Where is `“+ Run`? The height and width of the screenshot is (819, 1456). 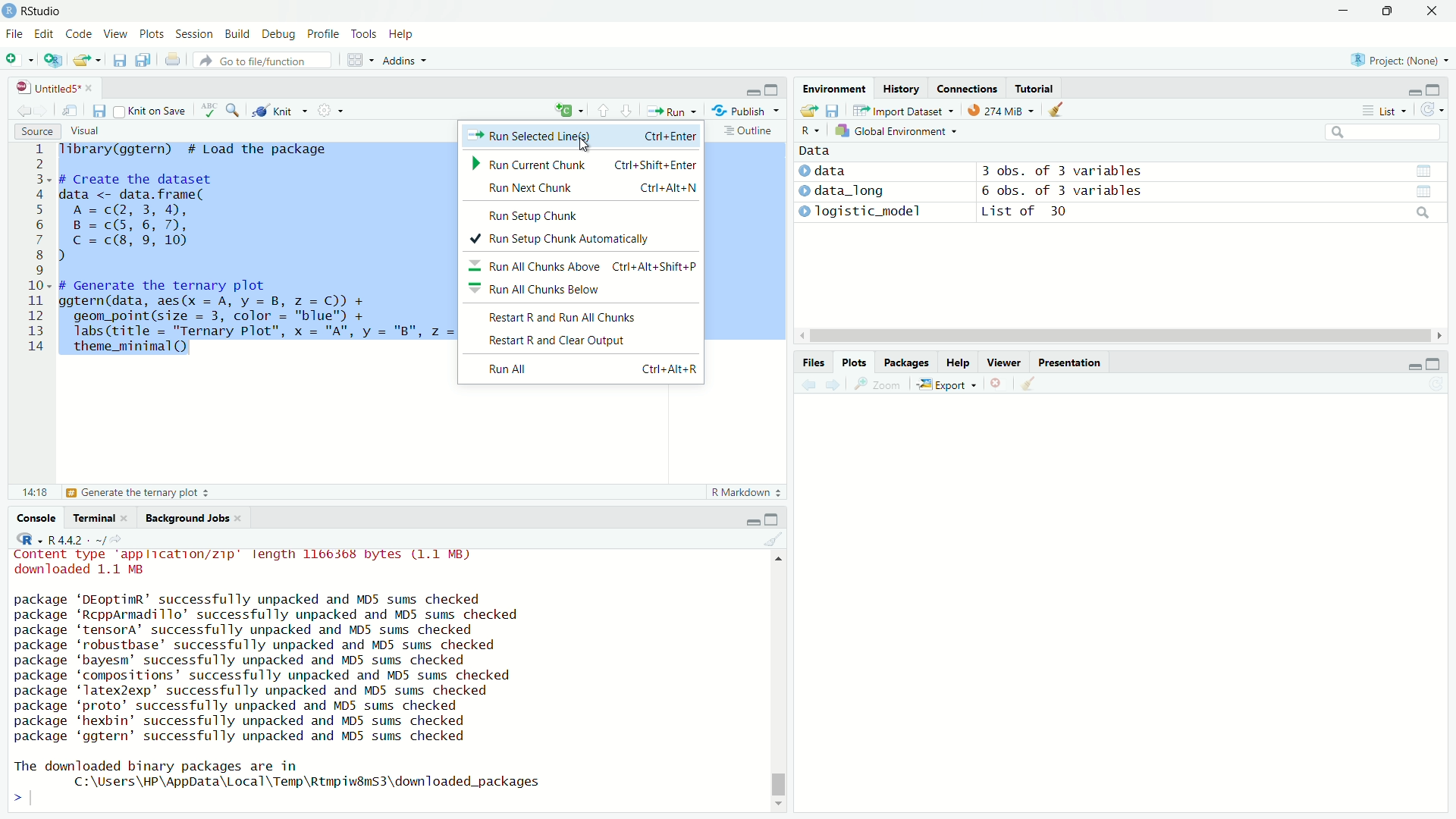
“+ Run is located at coordinates (676, 111).